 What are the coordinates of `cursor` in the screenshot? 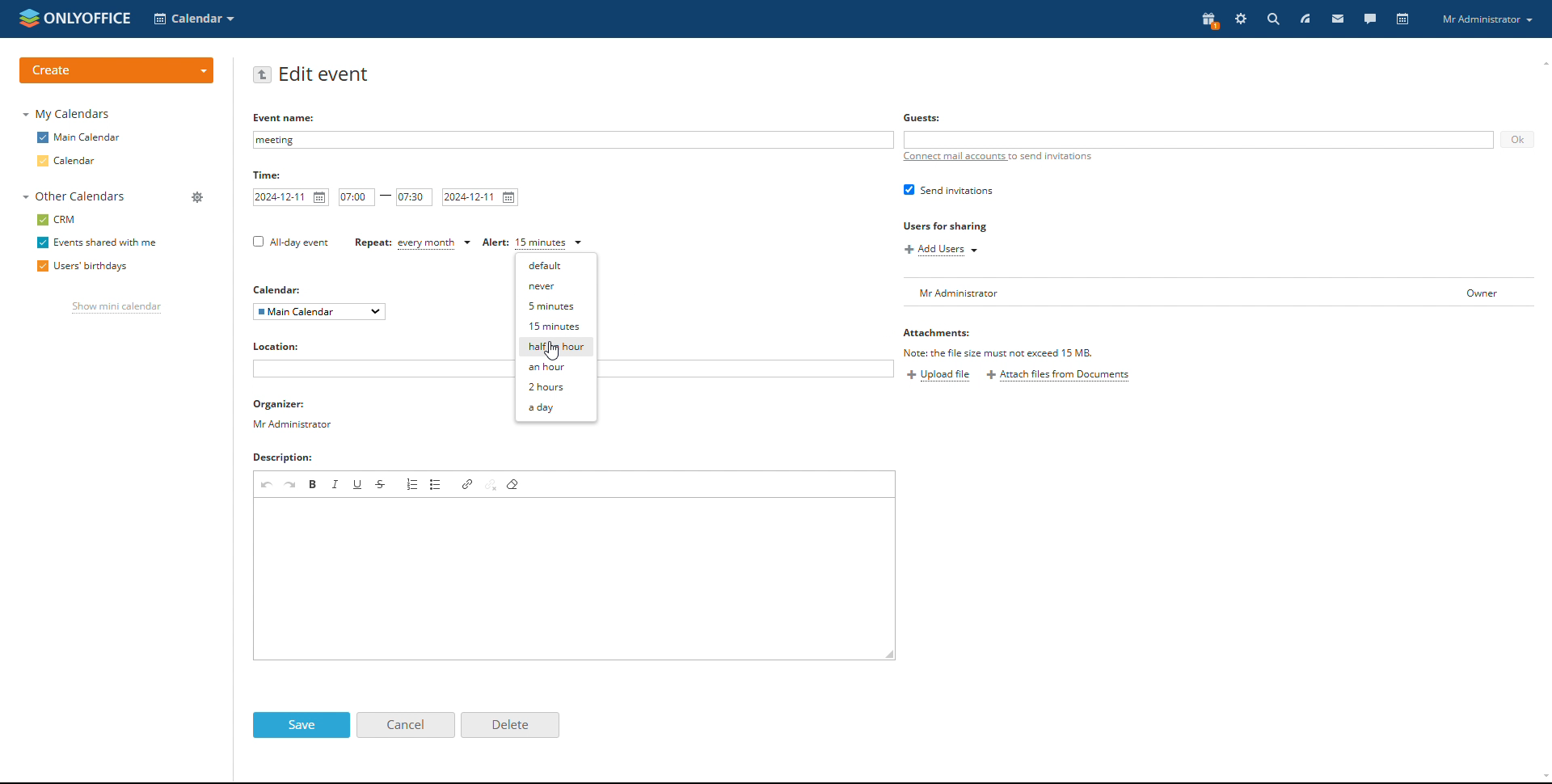 It's located at (554, 352).